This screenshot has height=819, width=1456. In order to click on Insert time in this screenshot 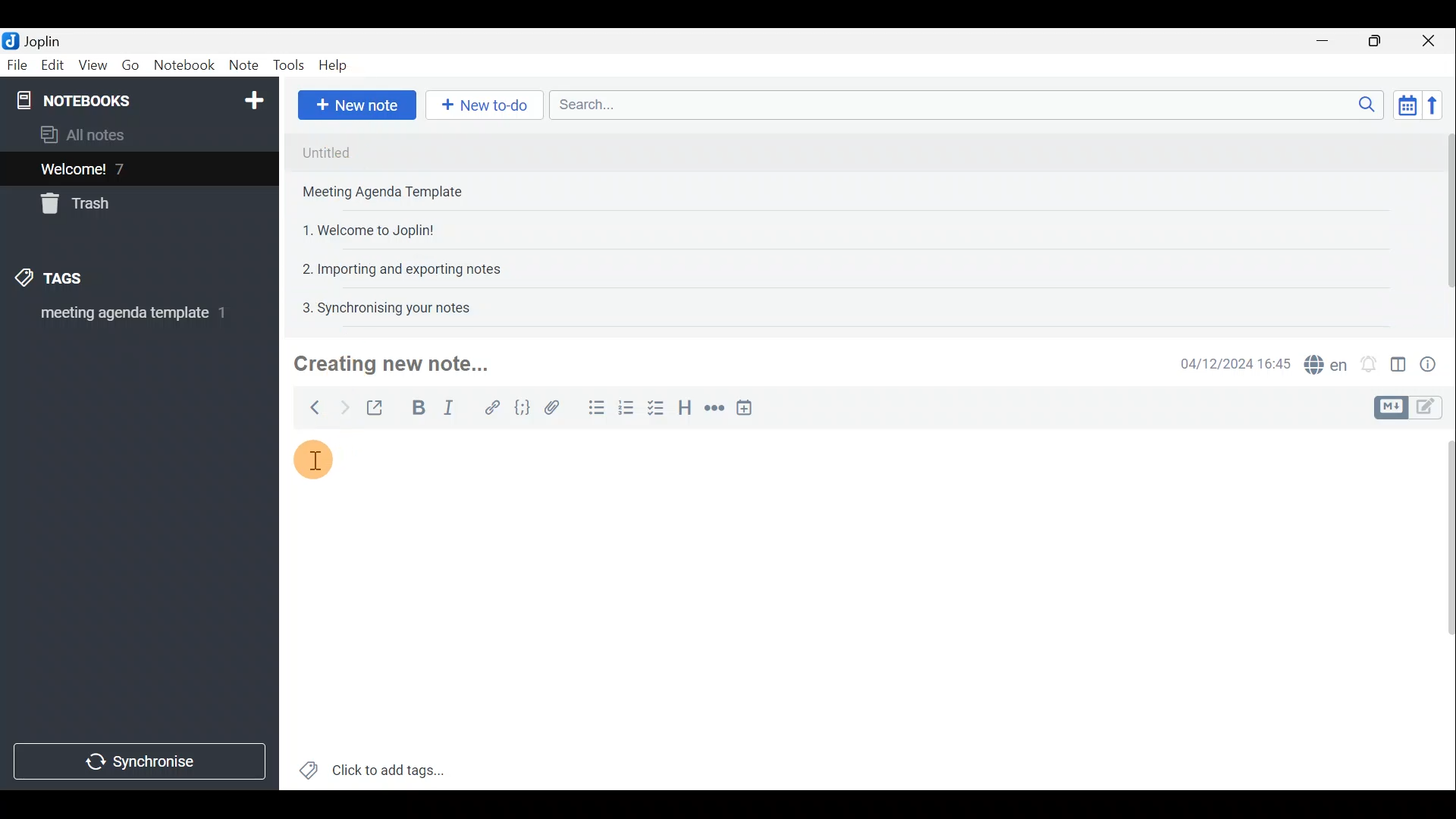, I will do `click(749, 407)`.